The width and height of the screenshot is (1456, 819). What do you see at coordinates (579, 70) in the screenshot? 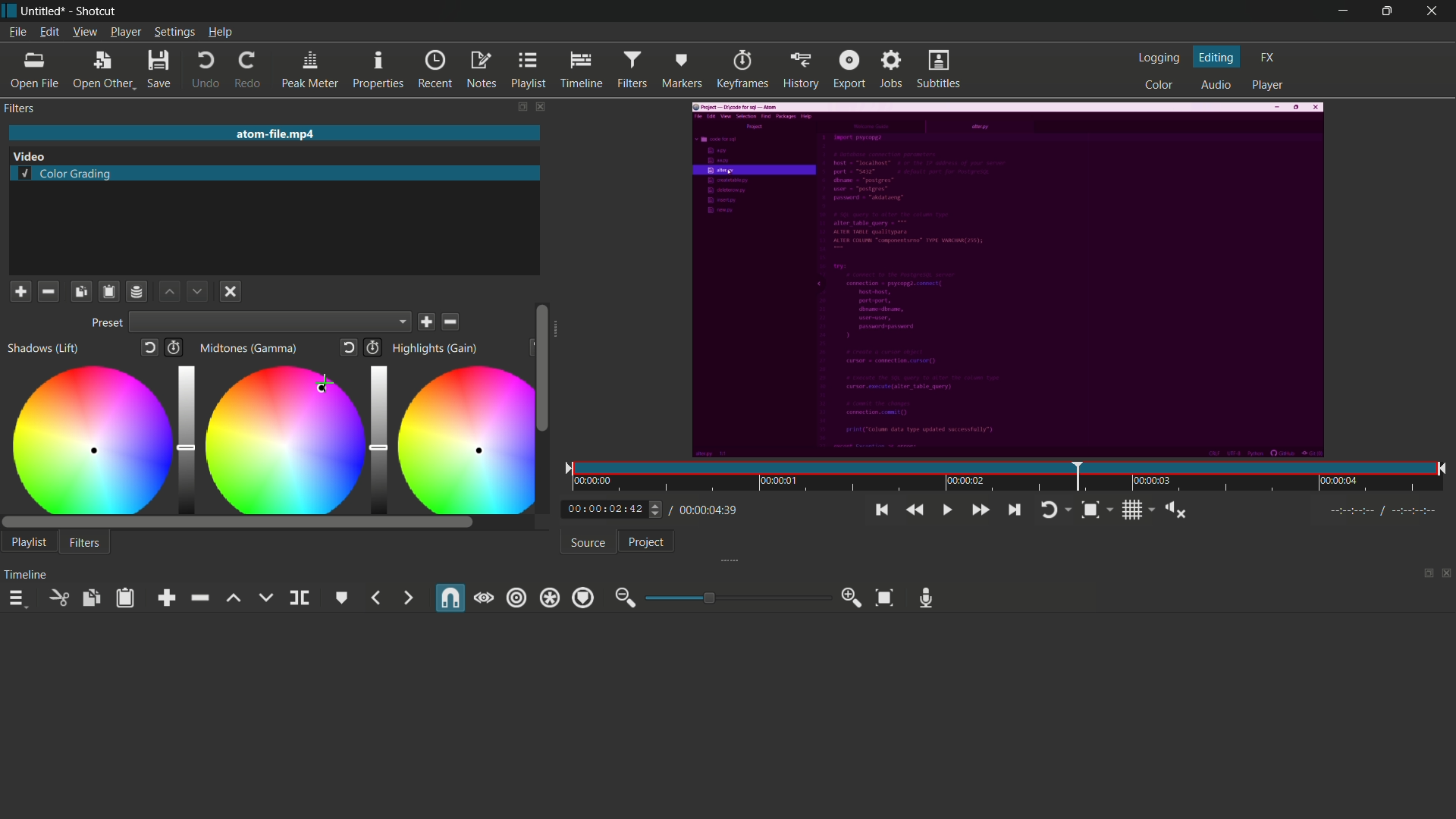
I see `timeline` at bounding box center [579, 70].